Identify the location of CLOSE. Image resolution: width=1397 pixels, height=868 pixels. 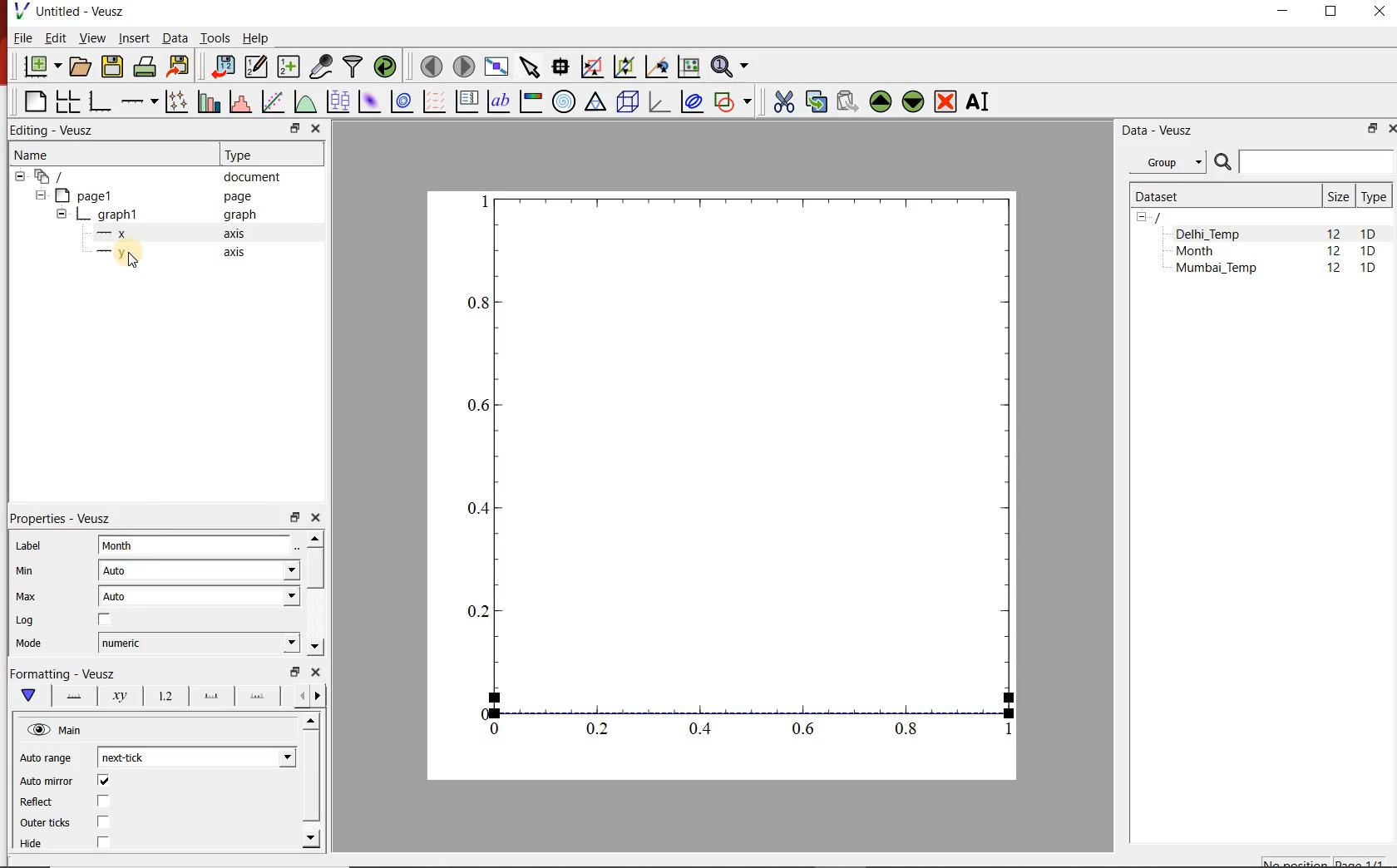
(1377, 11).